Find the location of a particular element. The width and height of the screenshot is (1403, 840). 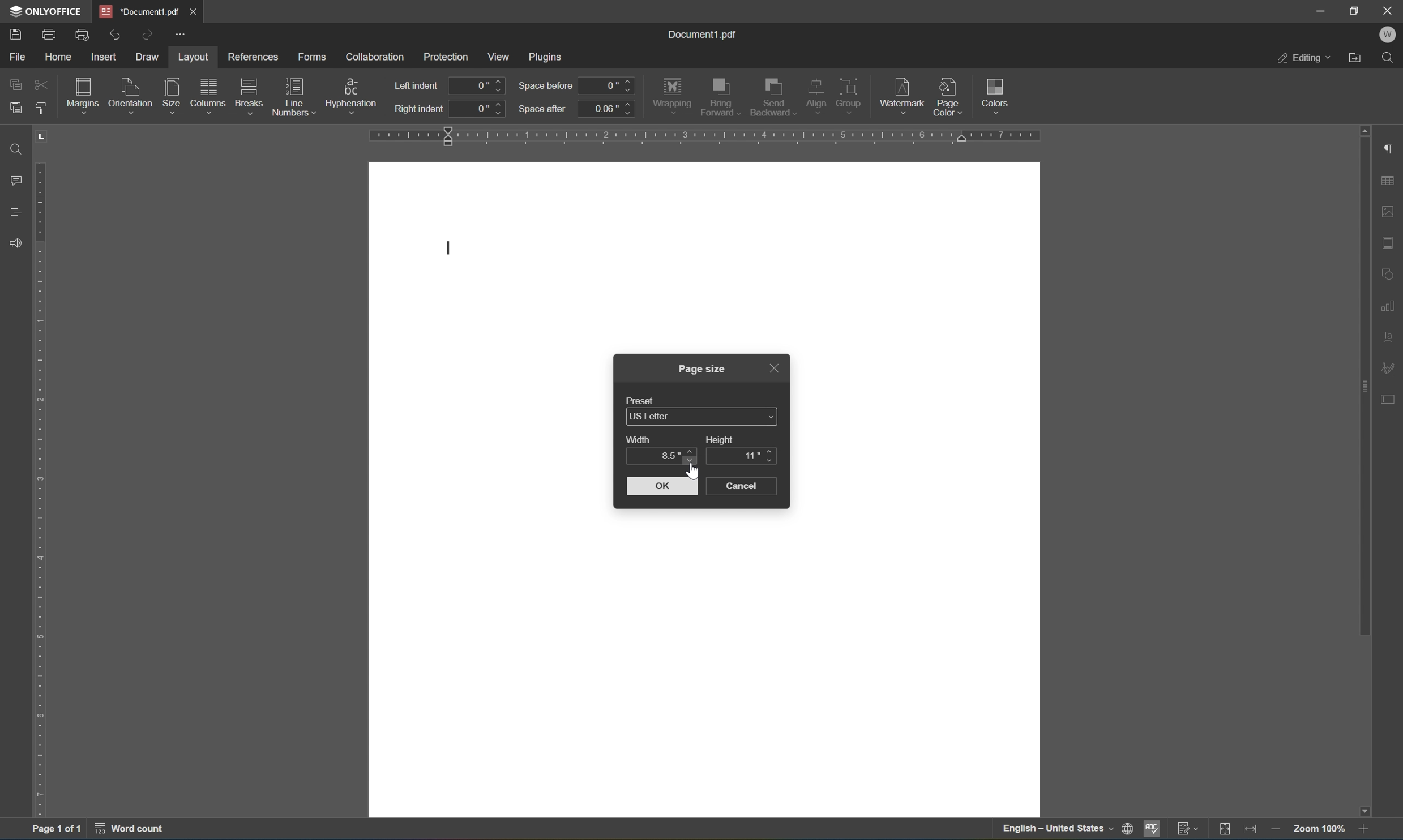

file is located at coordinates (18, 56).